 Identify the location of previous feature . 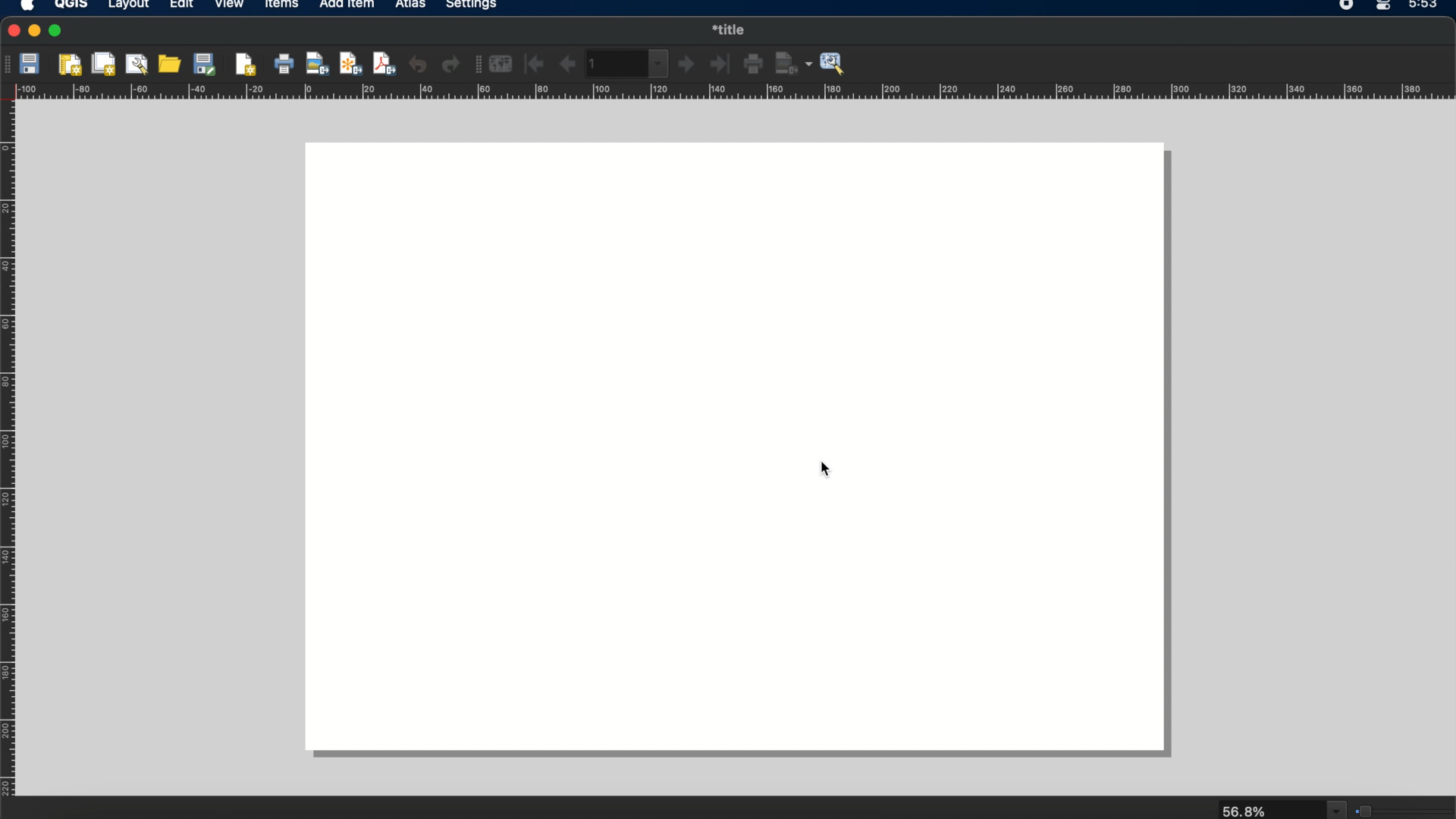
(565, 65).